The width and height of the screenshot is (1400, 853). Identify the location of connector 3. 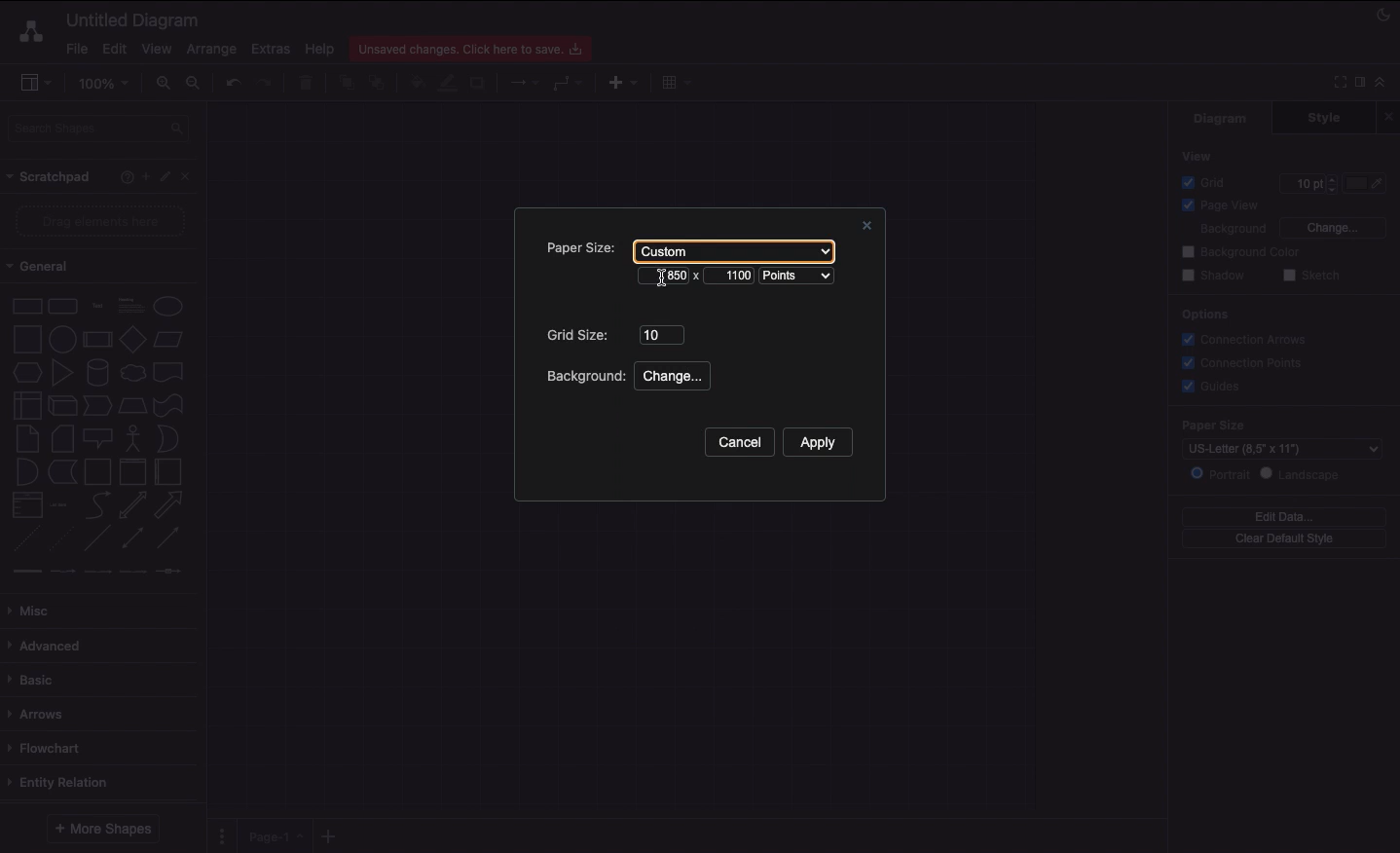
(95, 571).